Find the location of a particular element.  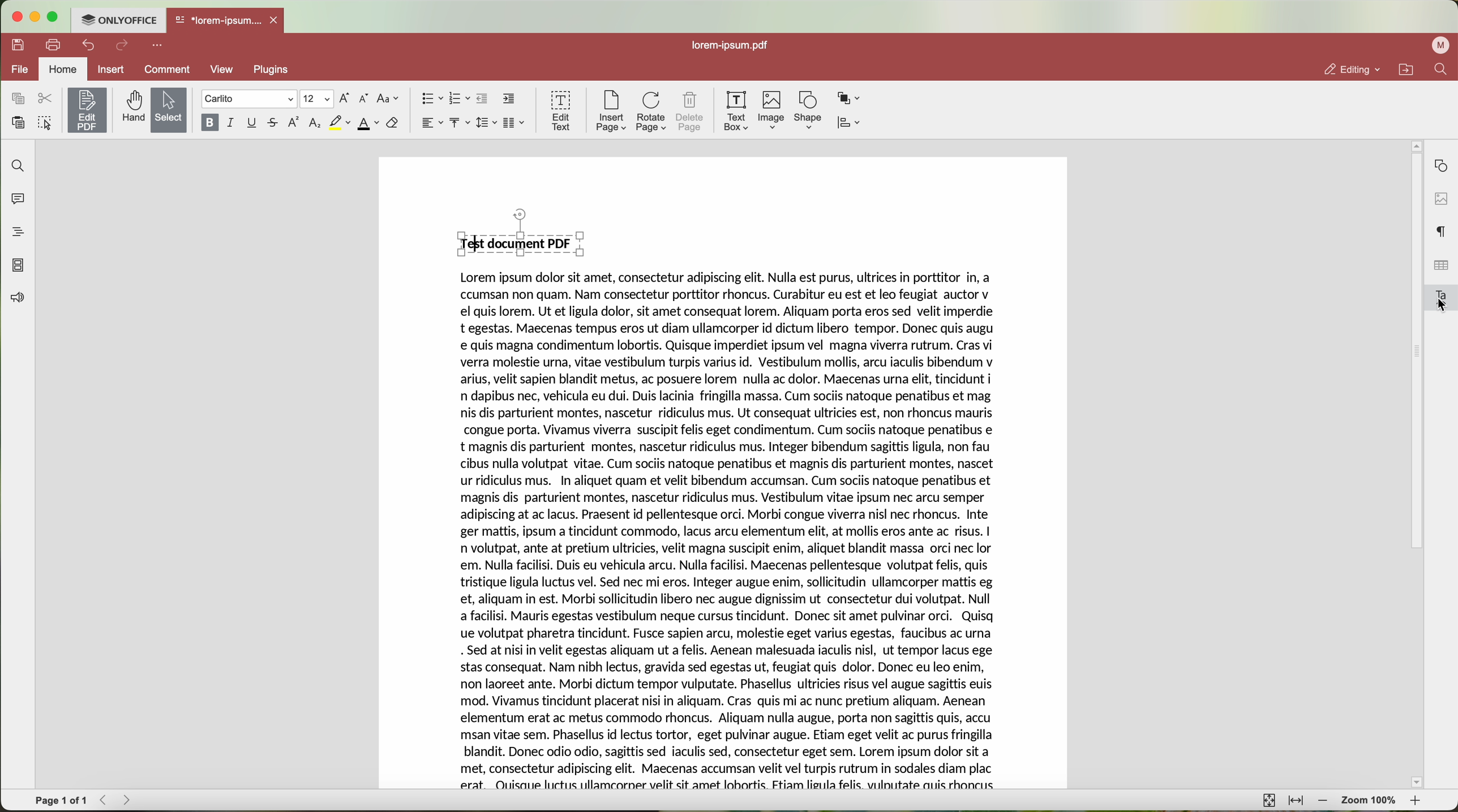

underline is located at coordinates (253, 123).